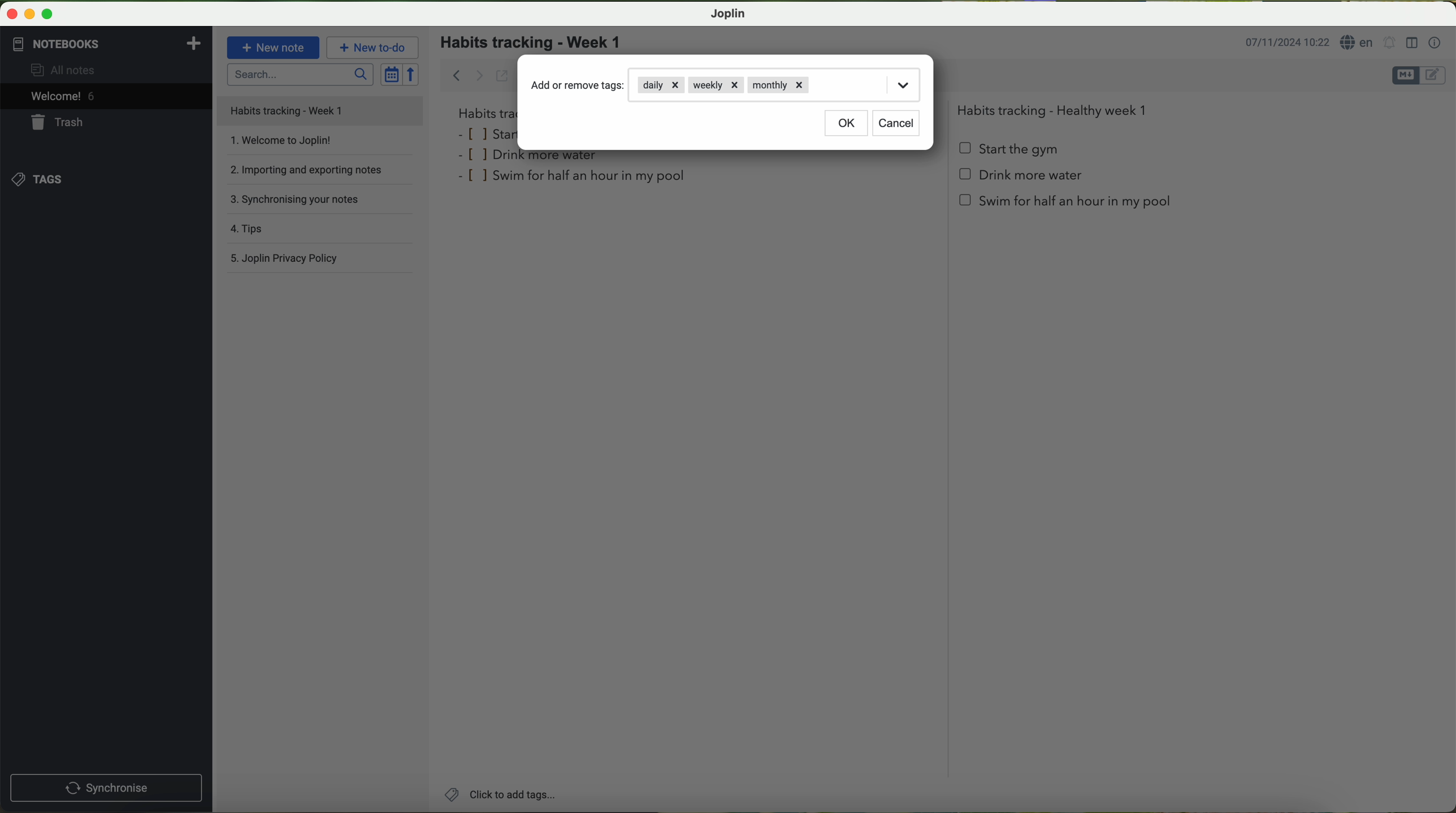 This screenshot has width=1456, height=813. Describe the element at coordinates (487, 133) in the screenshot. I see `star` at that location.